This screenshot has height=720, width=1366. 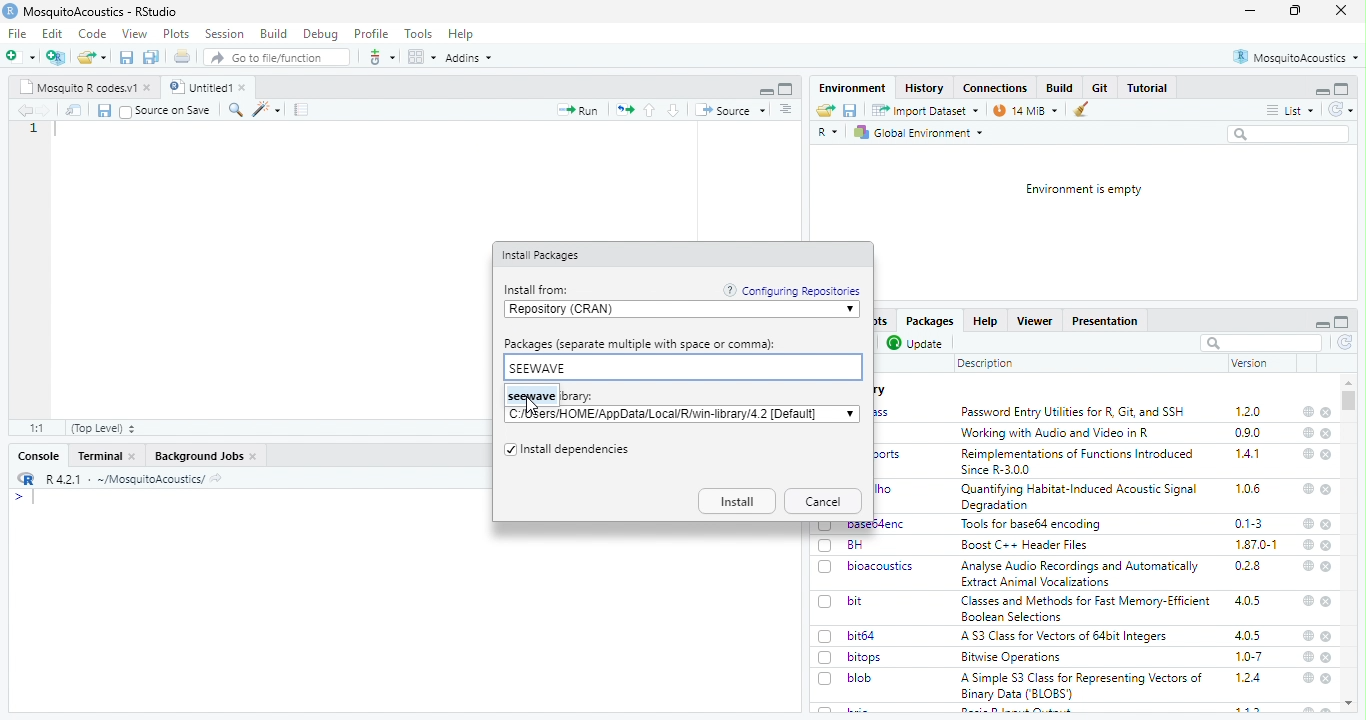 I want to click on (Top Level), so click(x=104, y=429).